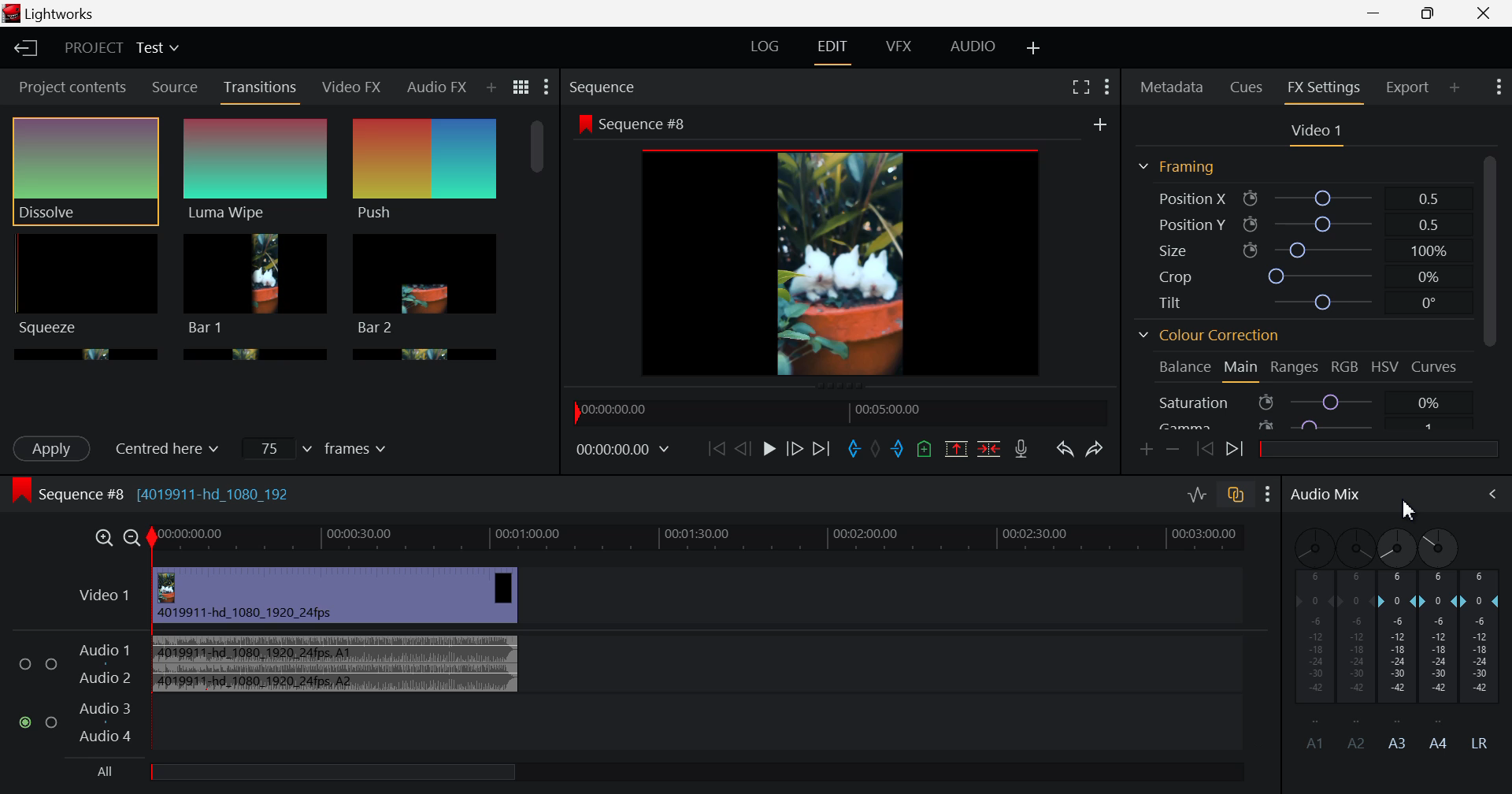  I want to click on Minimize, so click(1432, 13).